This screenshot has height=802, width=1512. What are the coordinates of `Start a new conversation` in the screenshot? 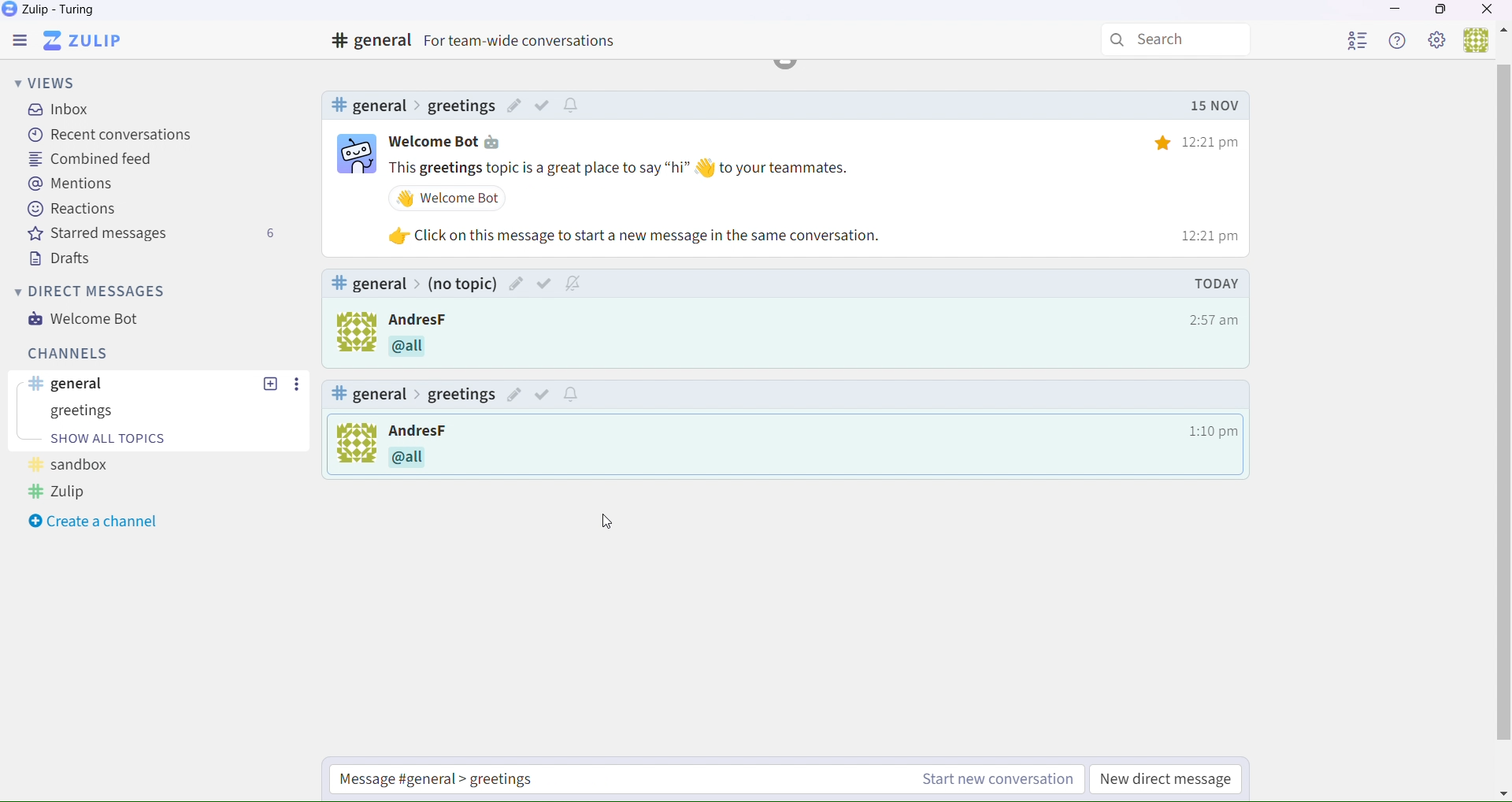 It's located at (548, 780).